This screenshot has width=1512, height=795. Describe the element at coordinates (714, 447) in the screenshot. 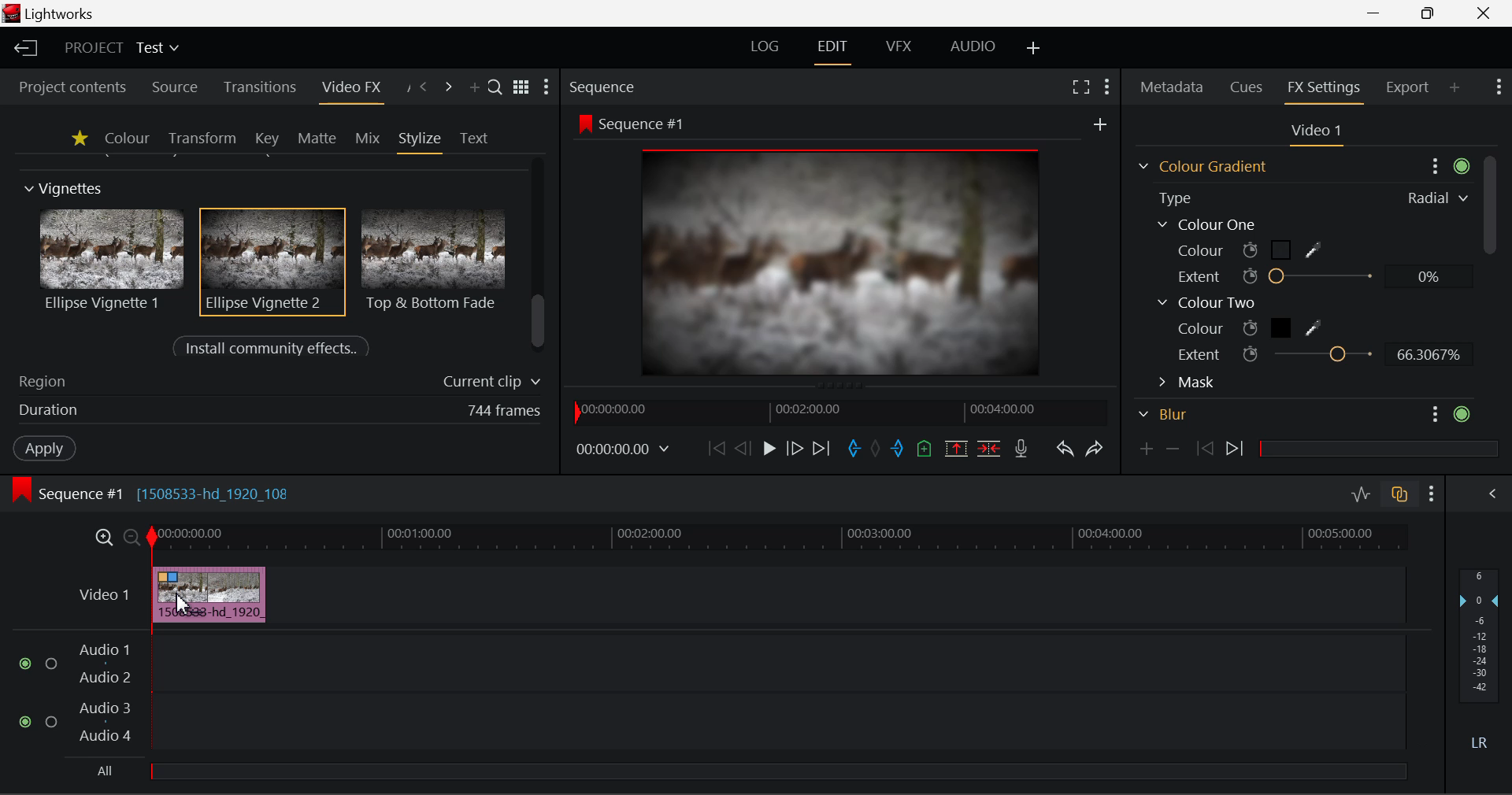

I see `To Start` at that location.